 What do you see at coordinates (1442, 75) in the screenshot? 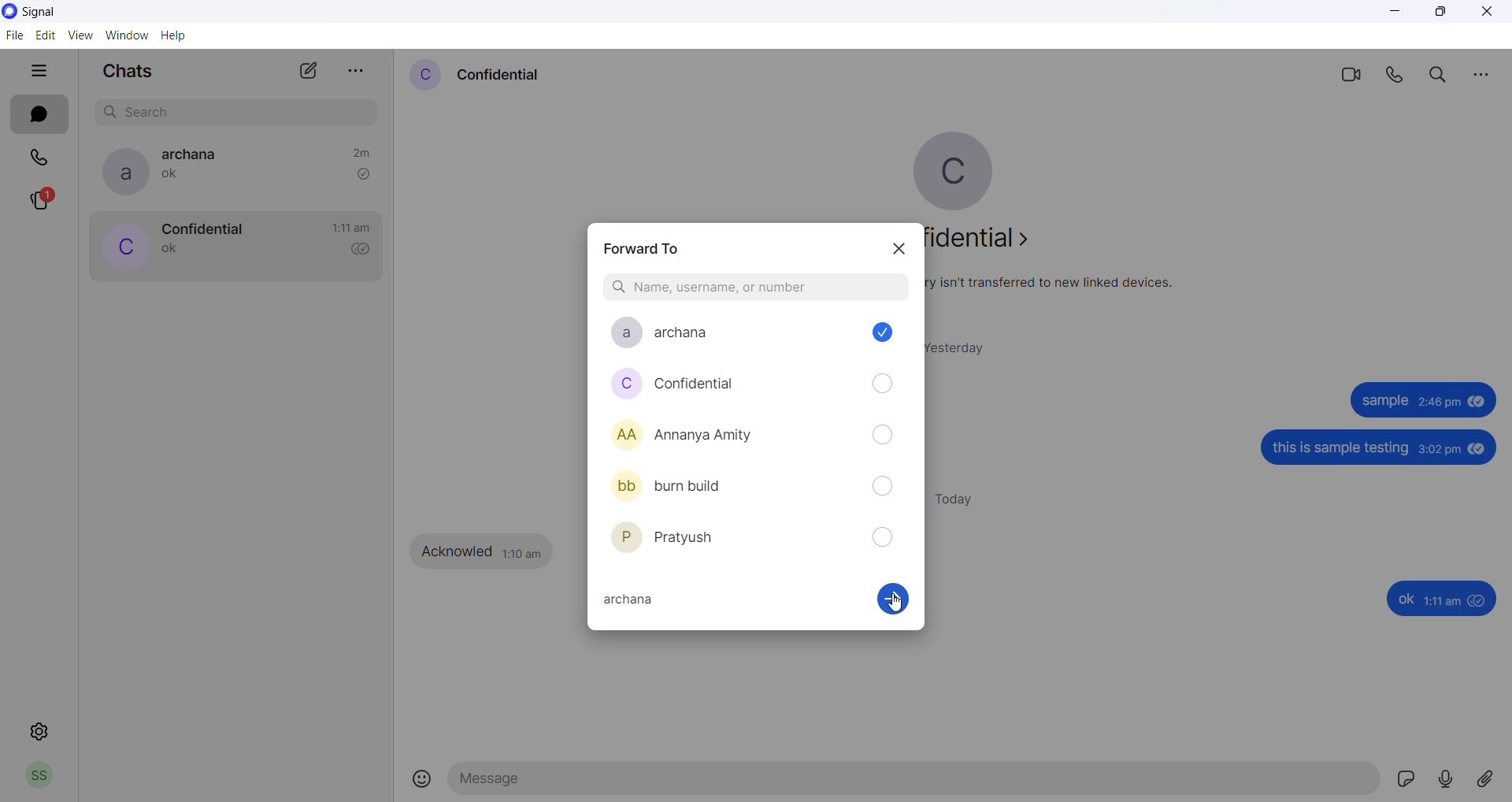
I see `search in chats` at bounding box center [1442, 75].